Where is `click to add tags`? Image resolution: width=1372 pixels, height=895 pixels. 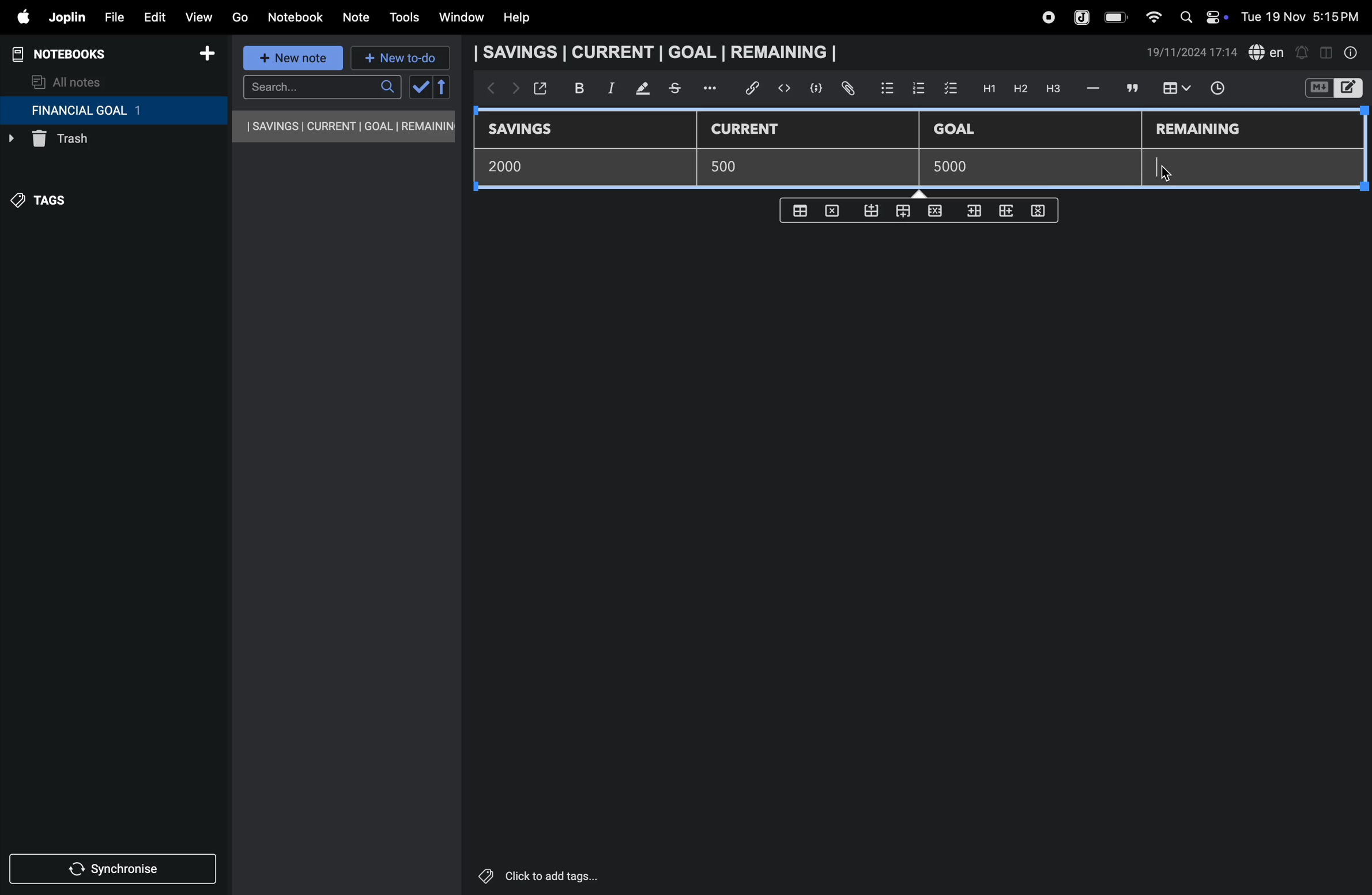
click to add tags is located at coordinates (567, 875).